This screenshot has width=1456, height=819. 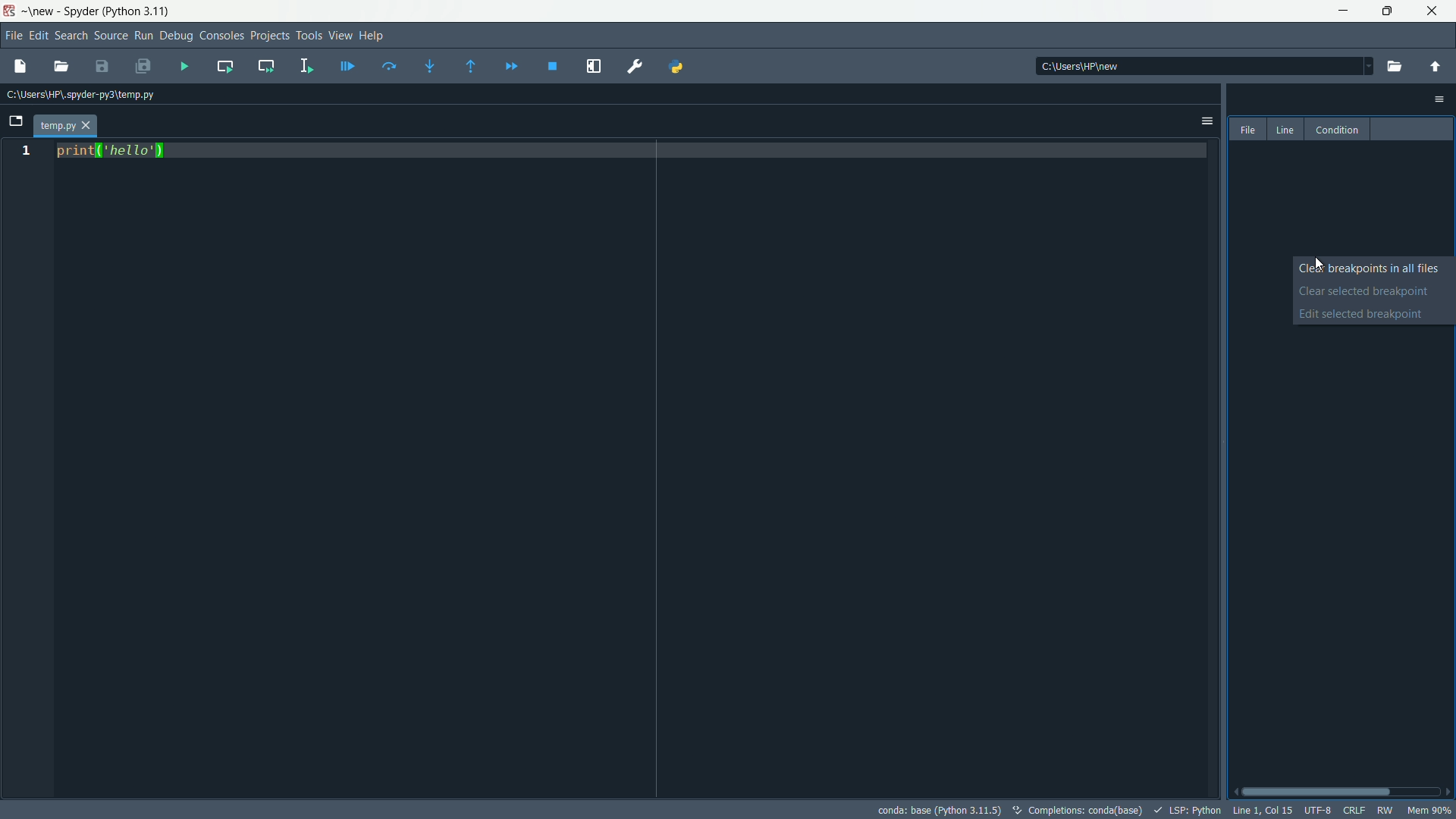 What do you see at coordinates (1384, 810) in the screenshot?
I see `rw` at bounding box center [1384, 810].